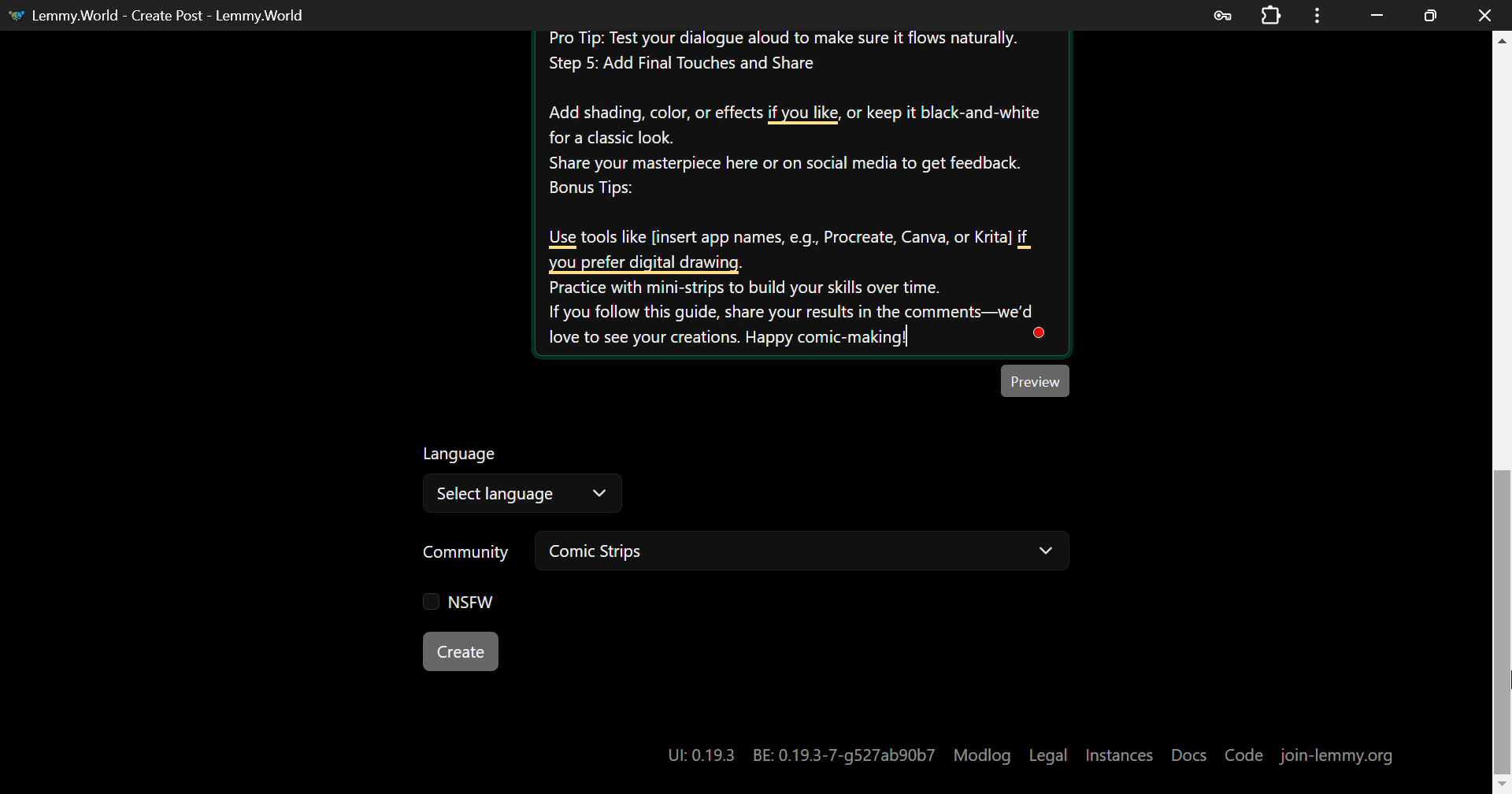 The image size is (1512, 794). I want to click on Password Data Saved, so click(1224, 14).